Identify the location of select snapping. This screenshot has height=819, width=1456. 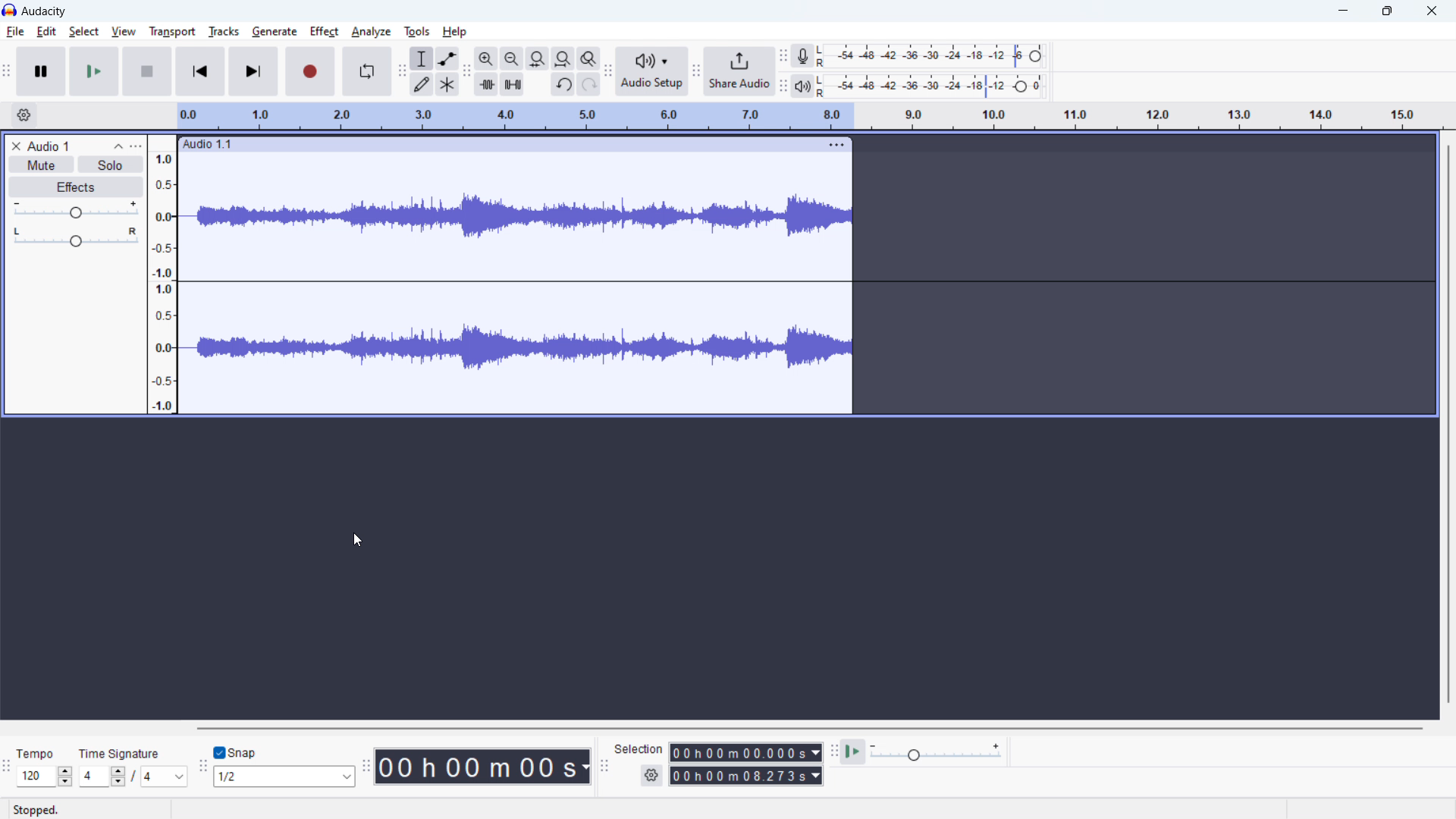
(284, 776).